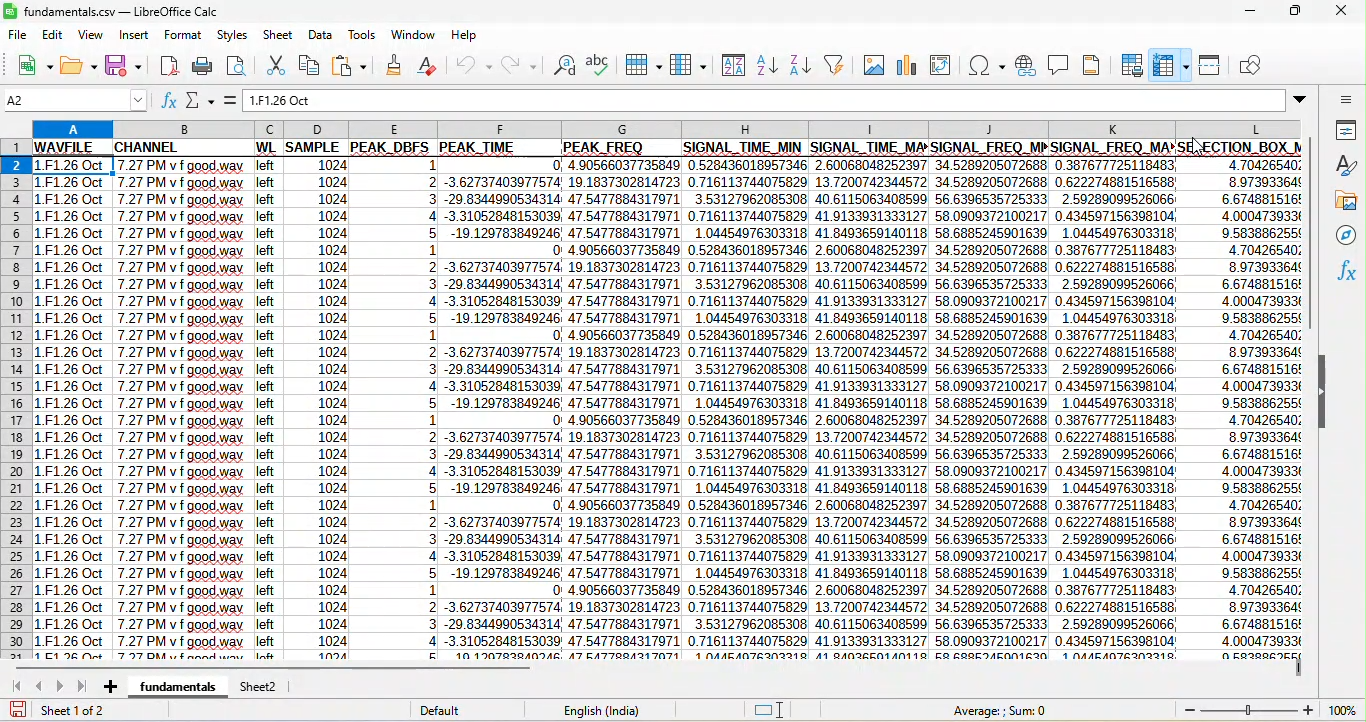 The width and height of the screenshot is (1366, 722). Describe the element at coordinates (1099, 66) in the screenshot. I see `header and footers` at that location.